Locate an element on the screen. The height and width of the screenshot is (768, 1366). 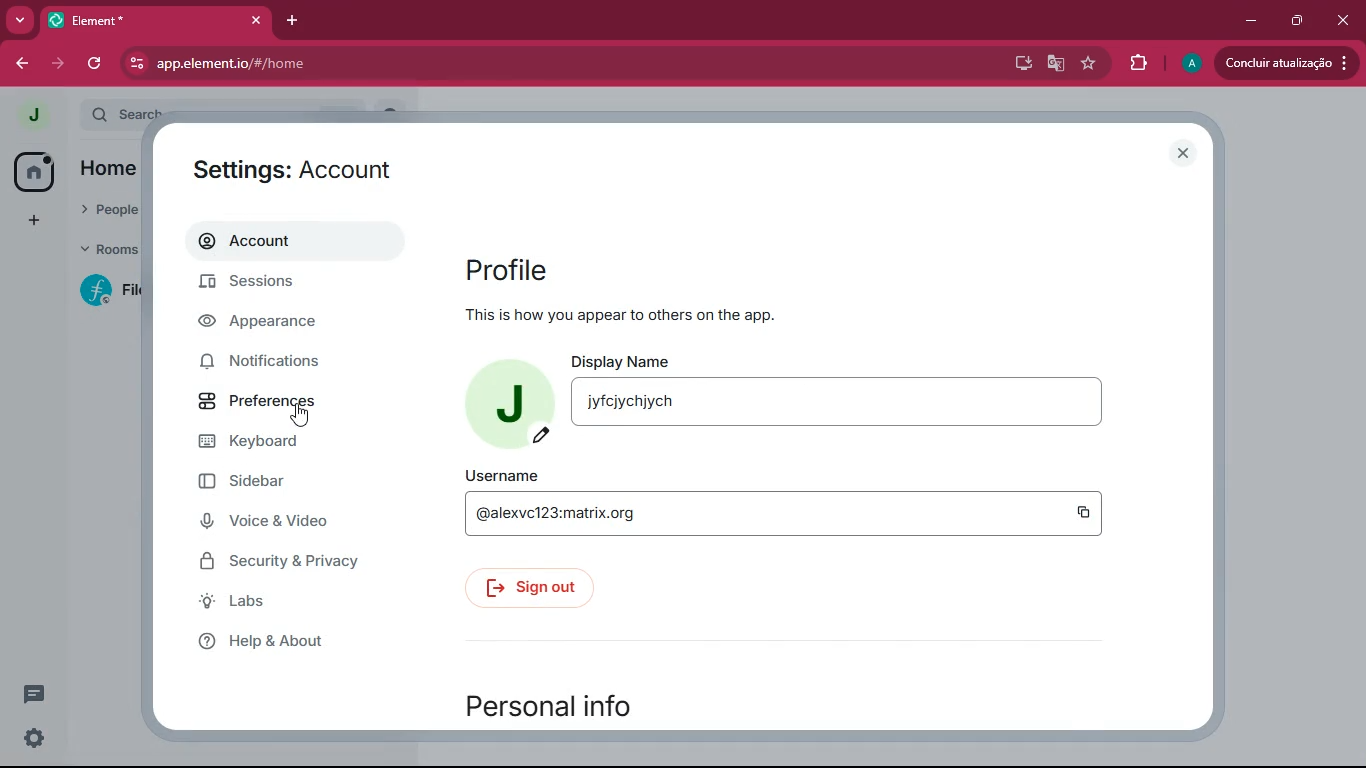
help is located at coordinates (281, 642).